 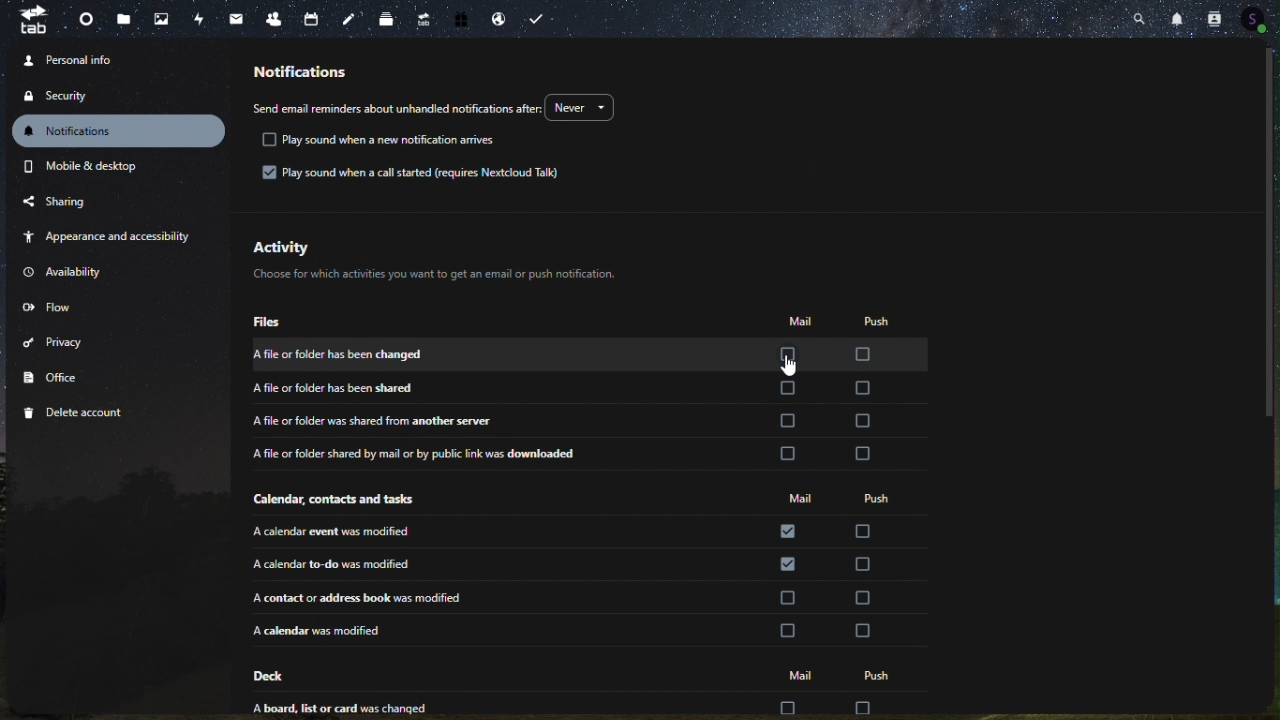 What do you see at coordinates (791, 354) in the screenshot?
I see `check box` at bounding box center [791, 354].